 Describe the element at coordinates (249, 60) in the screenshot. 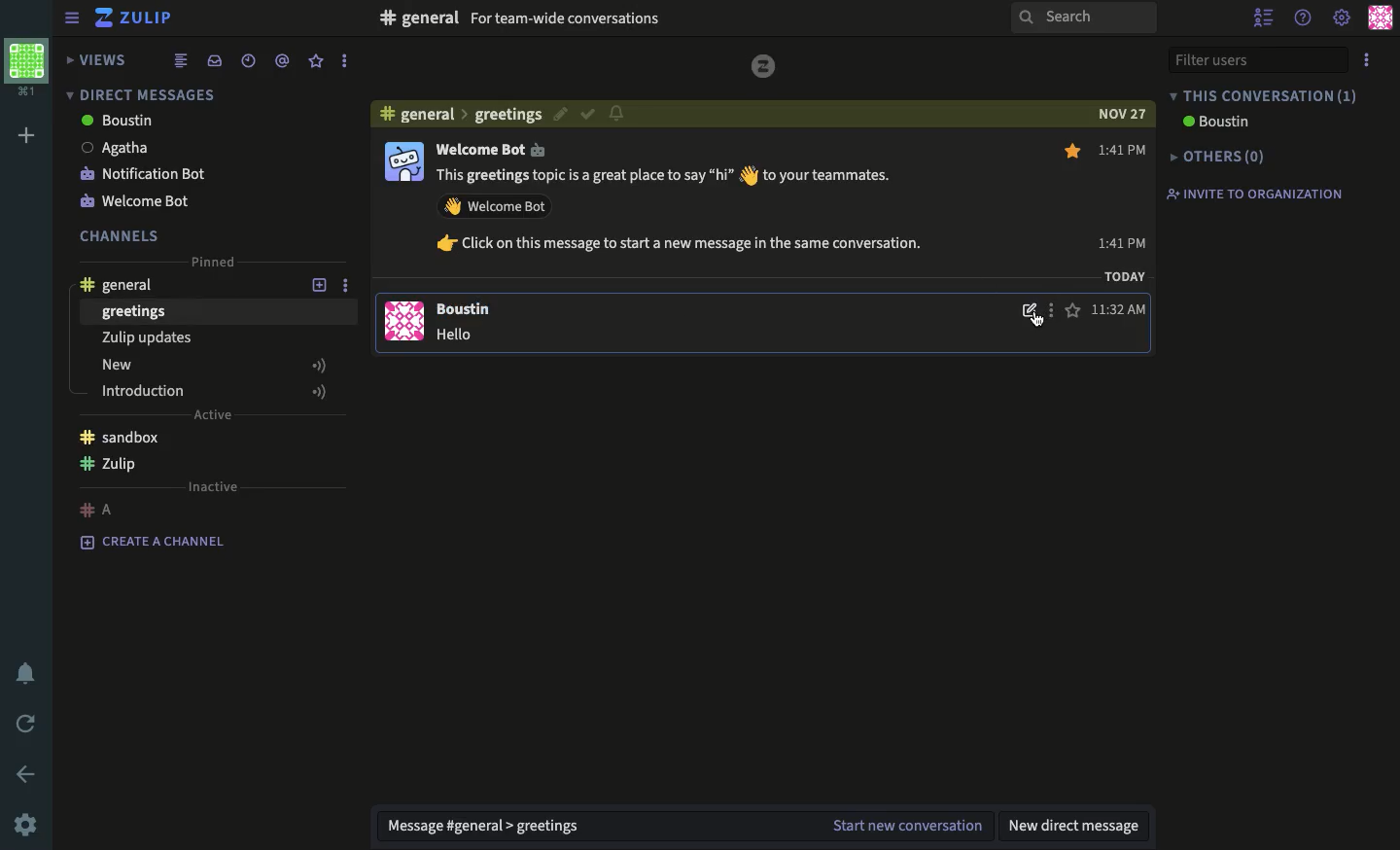

I see `time` at that location.